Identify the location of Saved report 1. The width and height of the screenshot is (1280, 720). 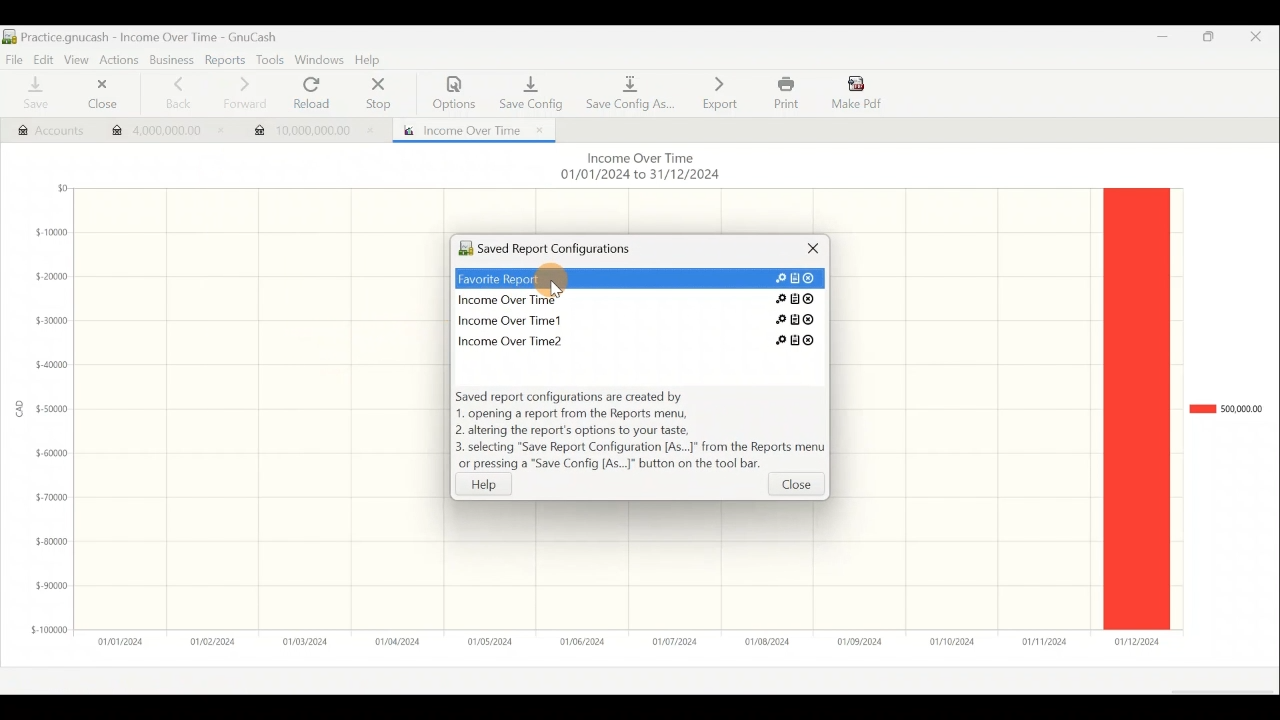
(642, 278).